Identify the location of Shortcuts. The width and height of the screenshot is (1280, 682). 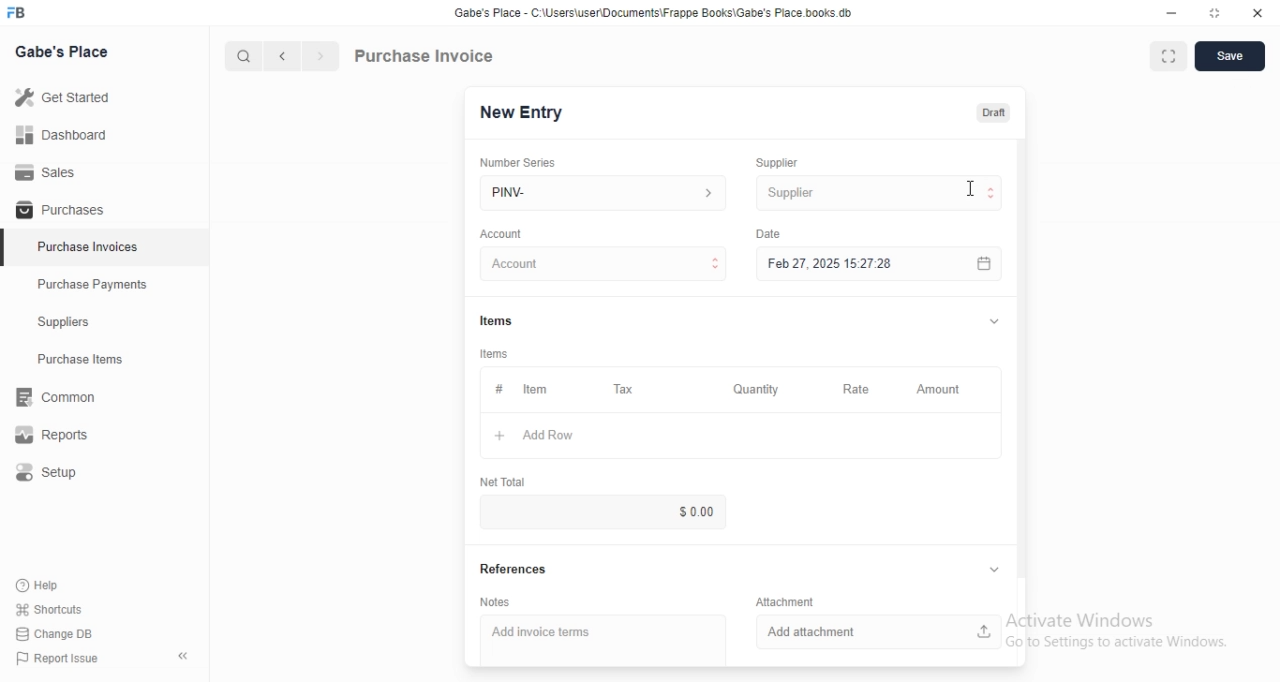
(50, 609).